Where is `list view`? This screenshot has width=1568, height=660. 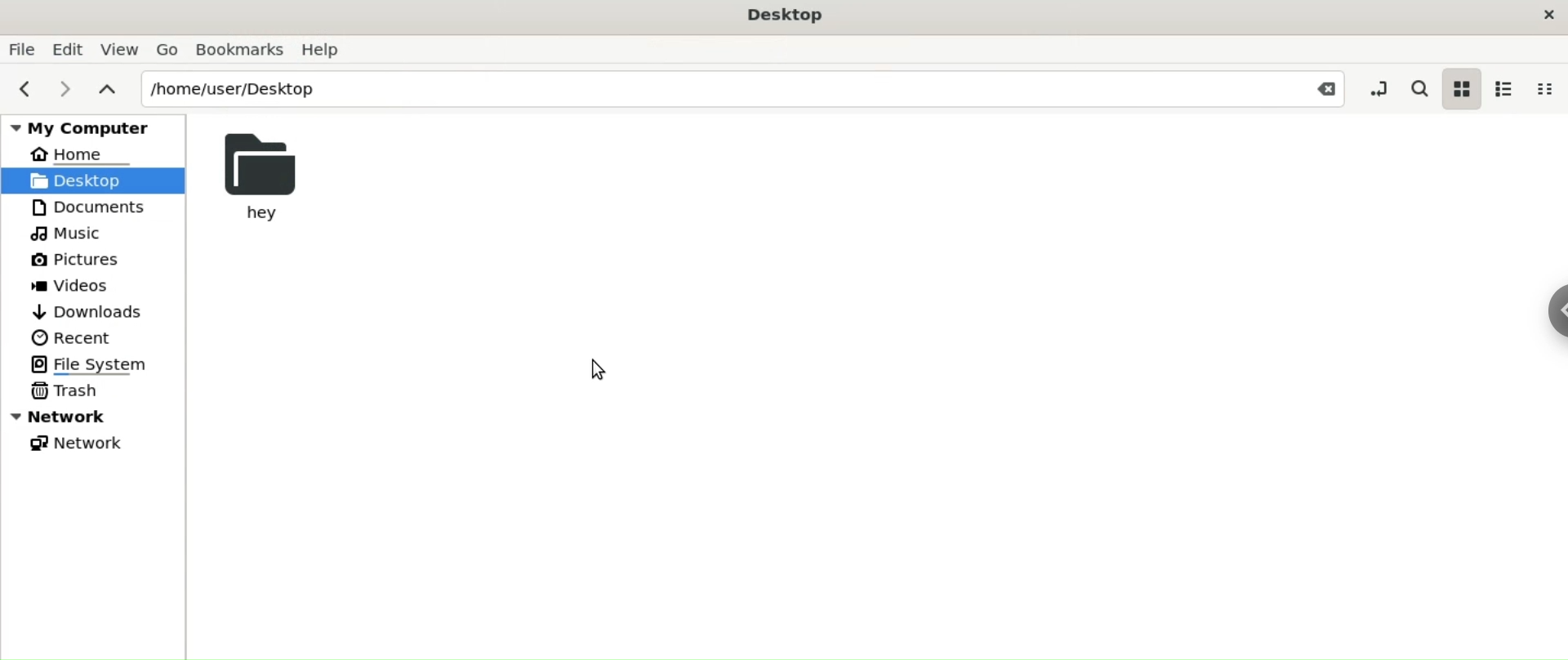 list view is located at coordinates (1506, 87).